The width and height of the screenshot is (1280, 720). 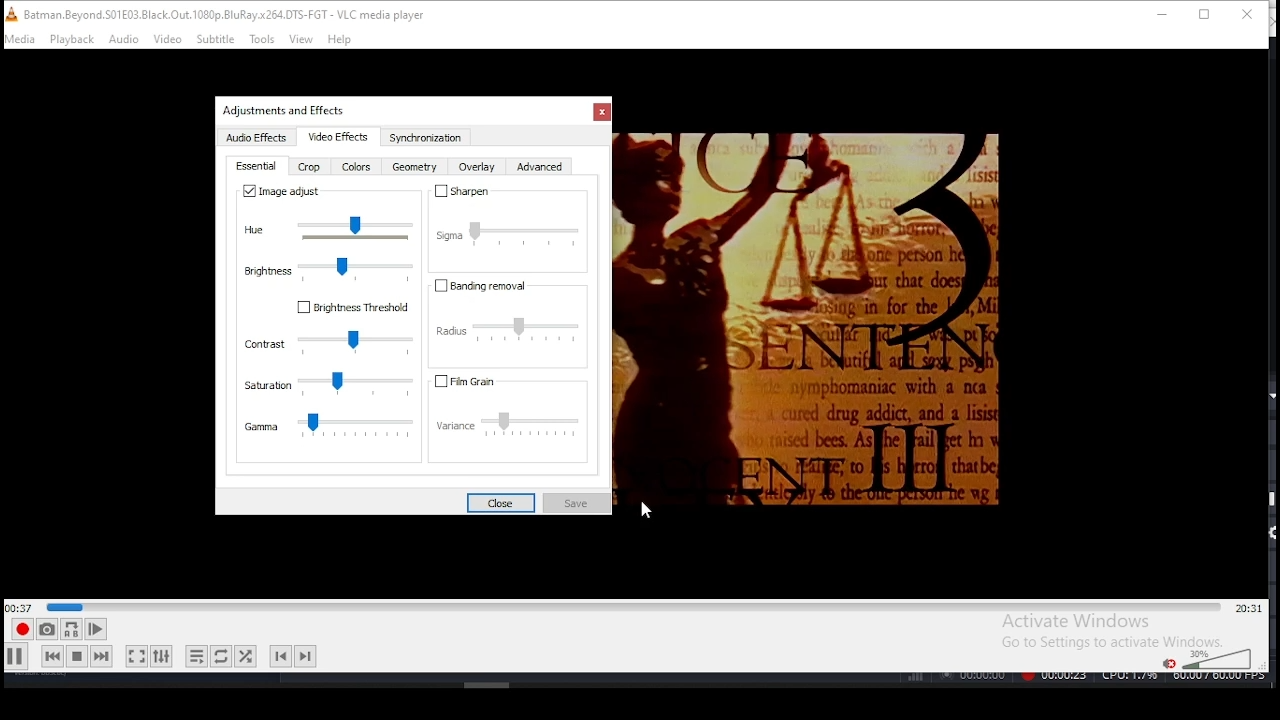 I want to click on elapsed time, so click(x=20, y=607).